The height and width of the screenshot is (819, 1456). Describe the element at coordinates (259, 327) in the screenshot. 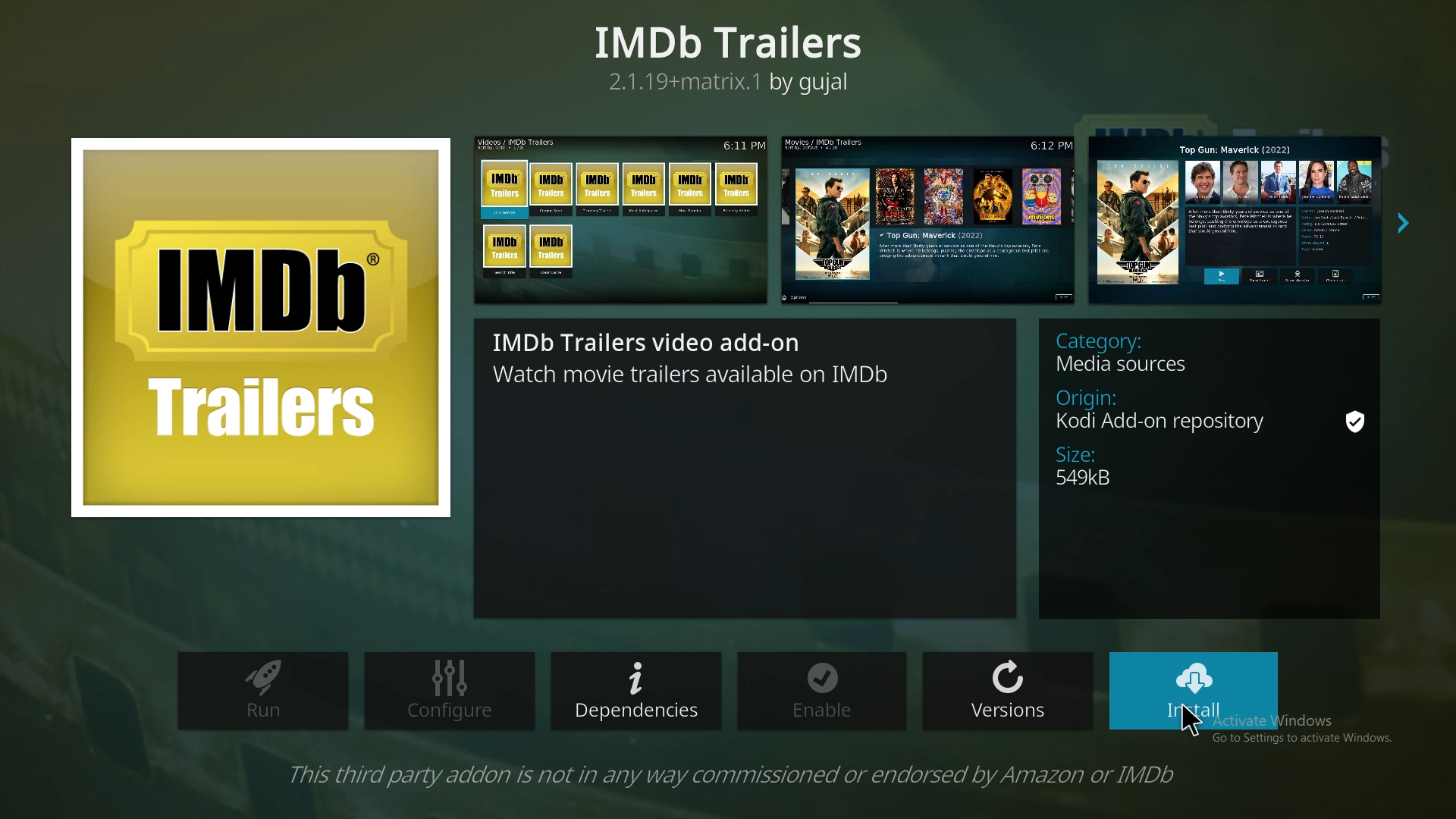

I see `icon` at that location.